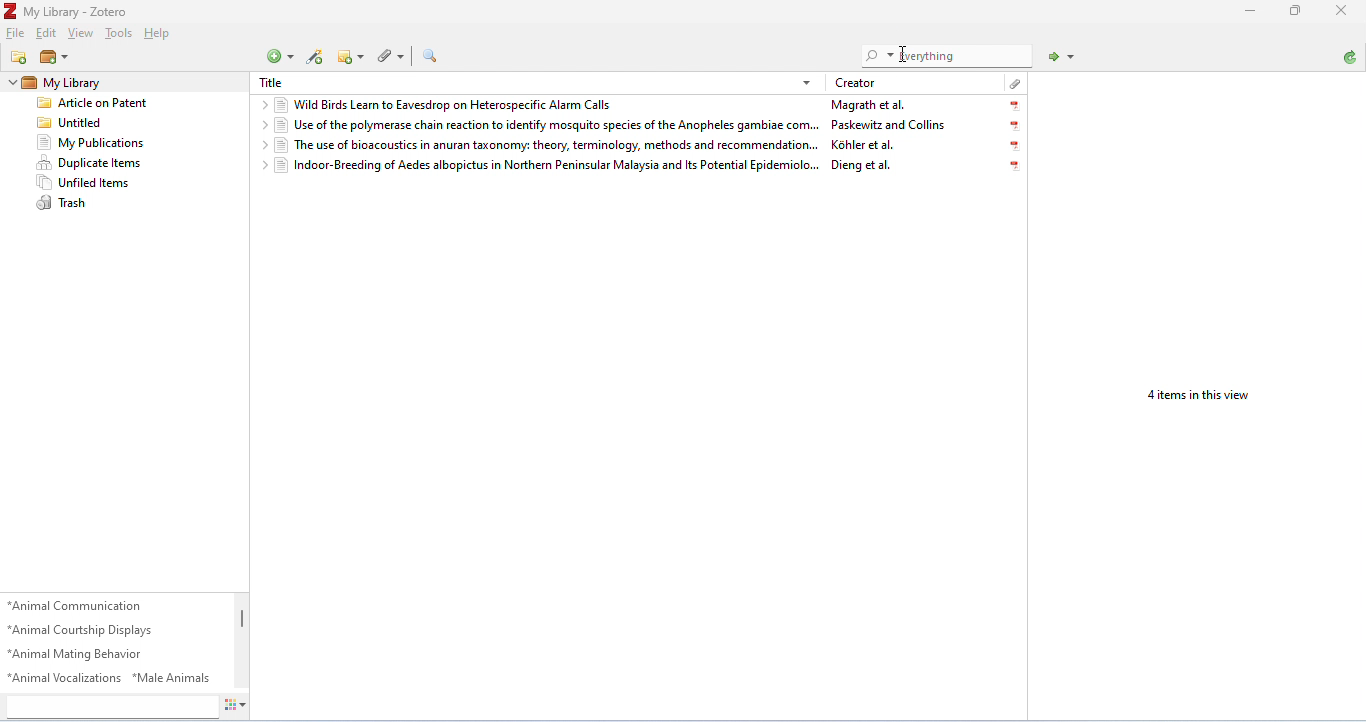  Describe the element at coordinates (1200, 396) in the screenshot. I see `4 items in this view` at that location.